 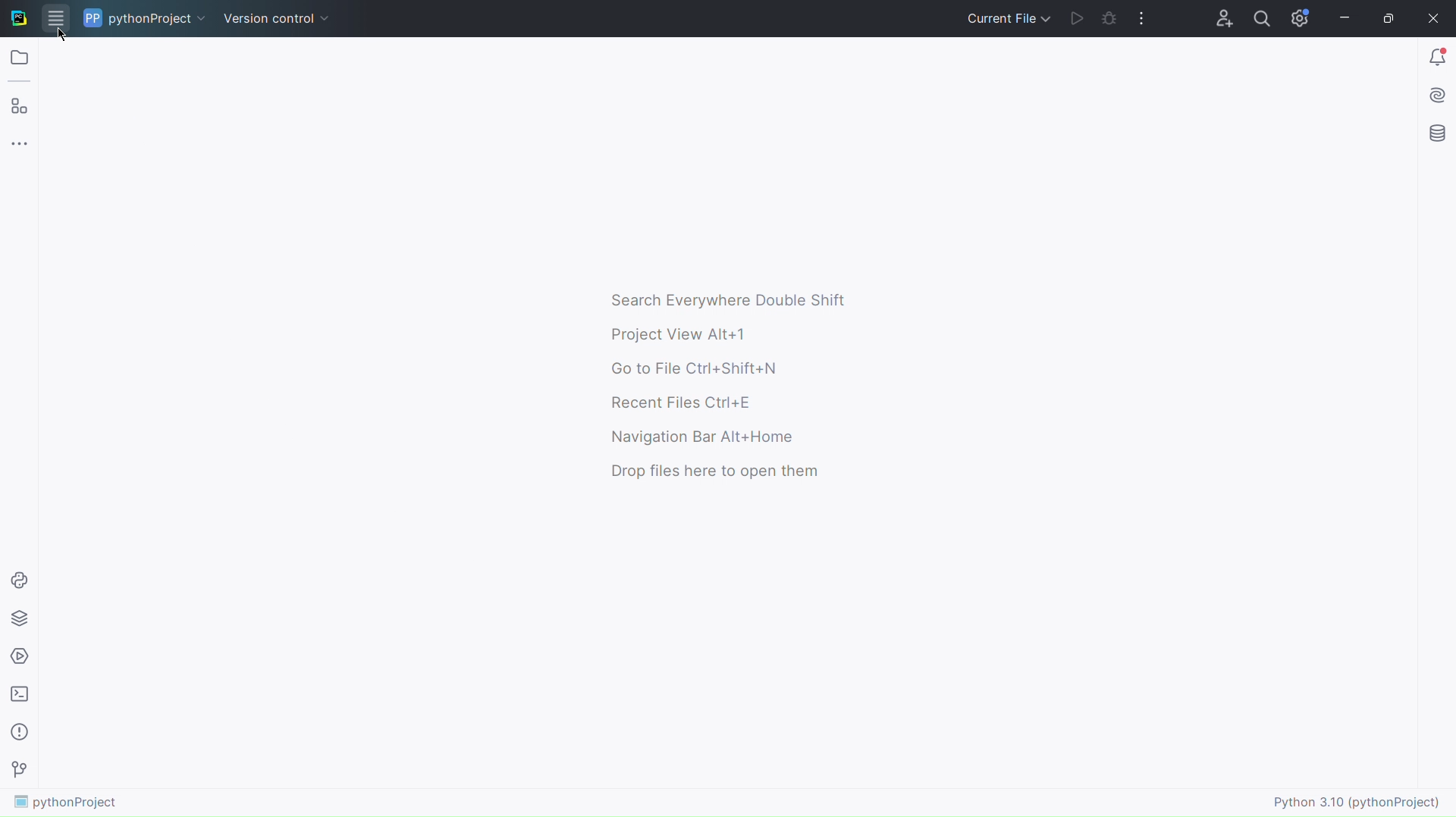 What do you see at coordinates (19, 142) in the screenshot?
I see `More` at bounding box center [19, 142].